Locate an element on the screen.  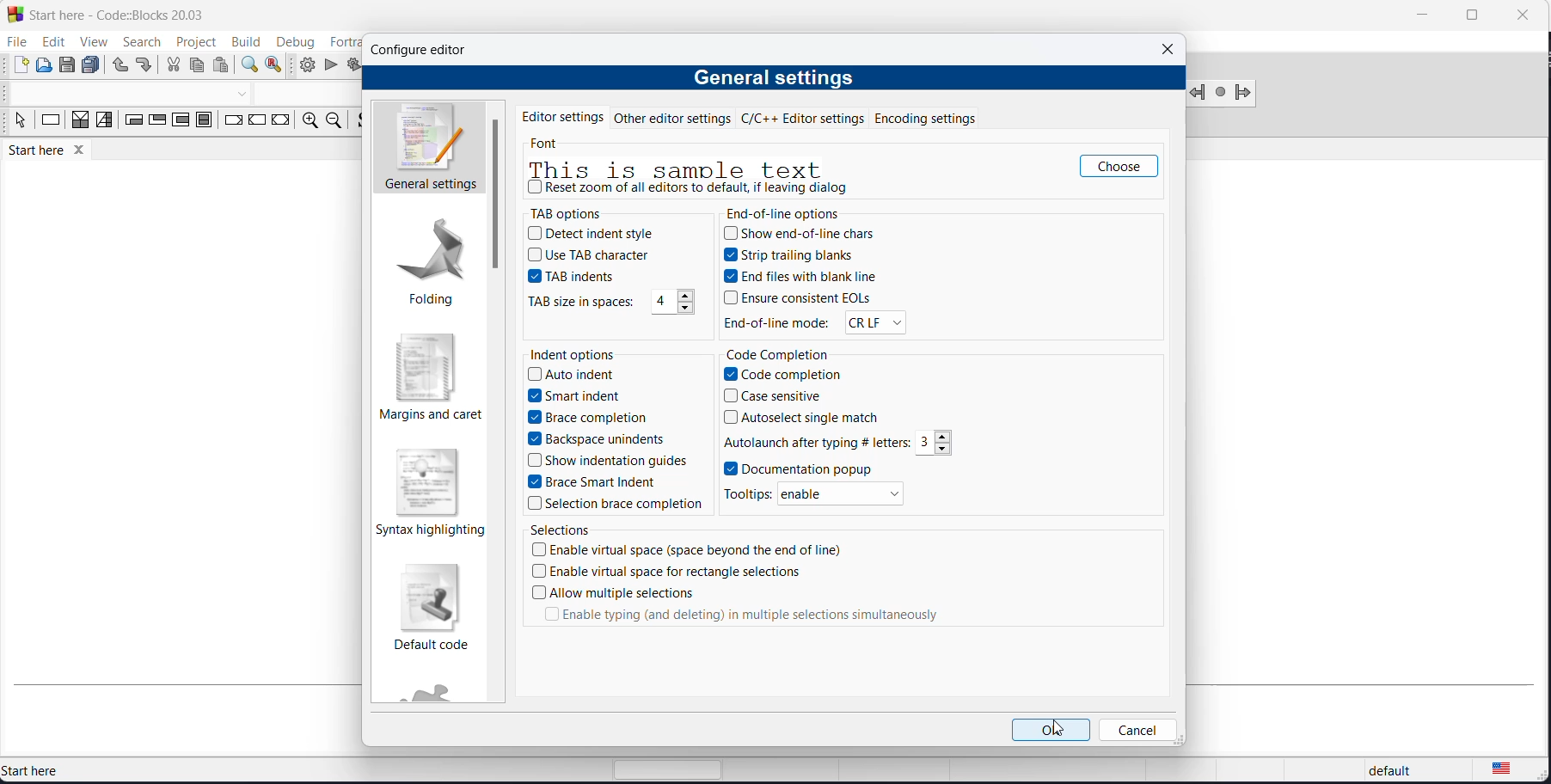
zoom out is located at coordinates (332, 121).